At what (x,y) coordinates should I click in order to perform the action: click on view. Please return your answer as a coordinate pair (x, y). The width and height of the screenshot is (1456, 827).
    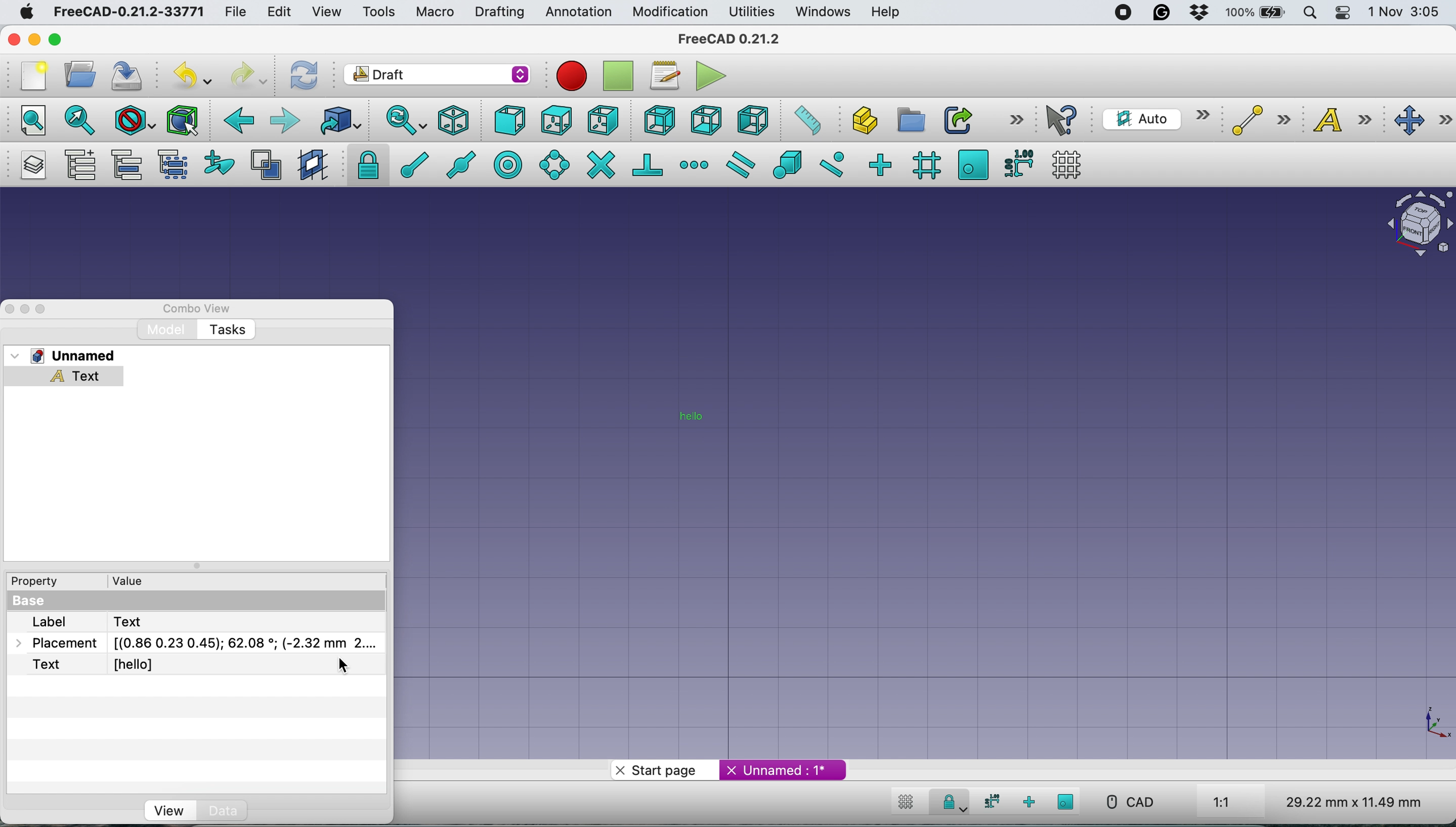
    Looking at the image, I should click on (173, 809).